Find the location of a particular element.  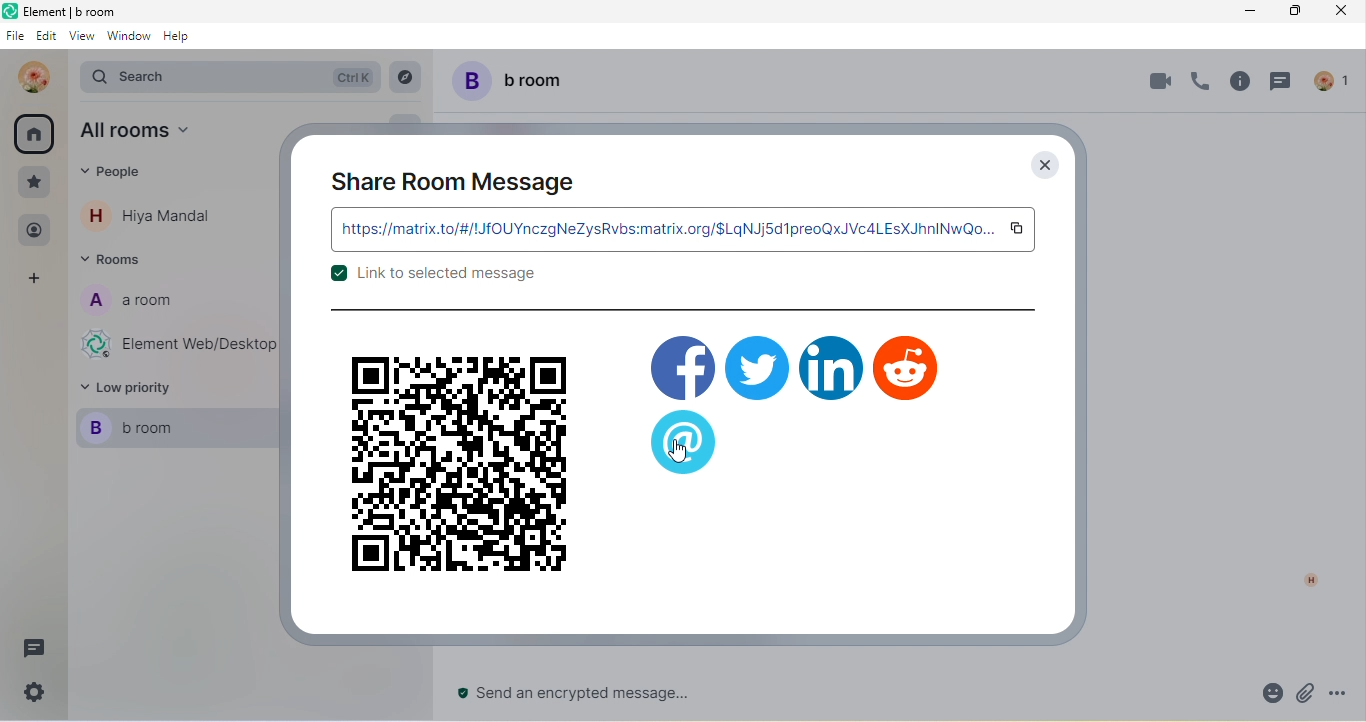

low priority is located at coordinates (140, 388).